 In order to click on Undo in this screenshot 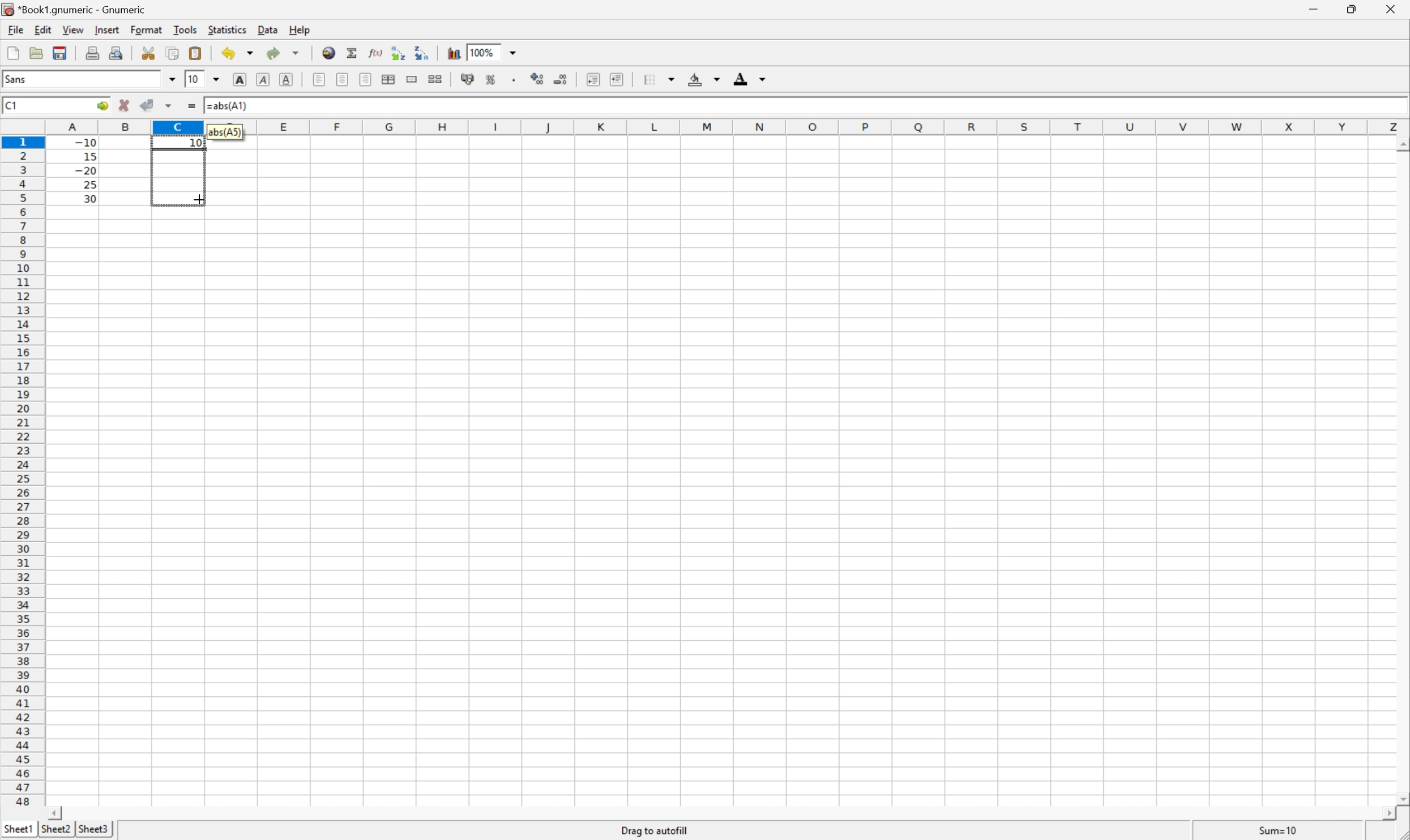, I will do `click(239, 53)`.